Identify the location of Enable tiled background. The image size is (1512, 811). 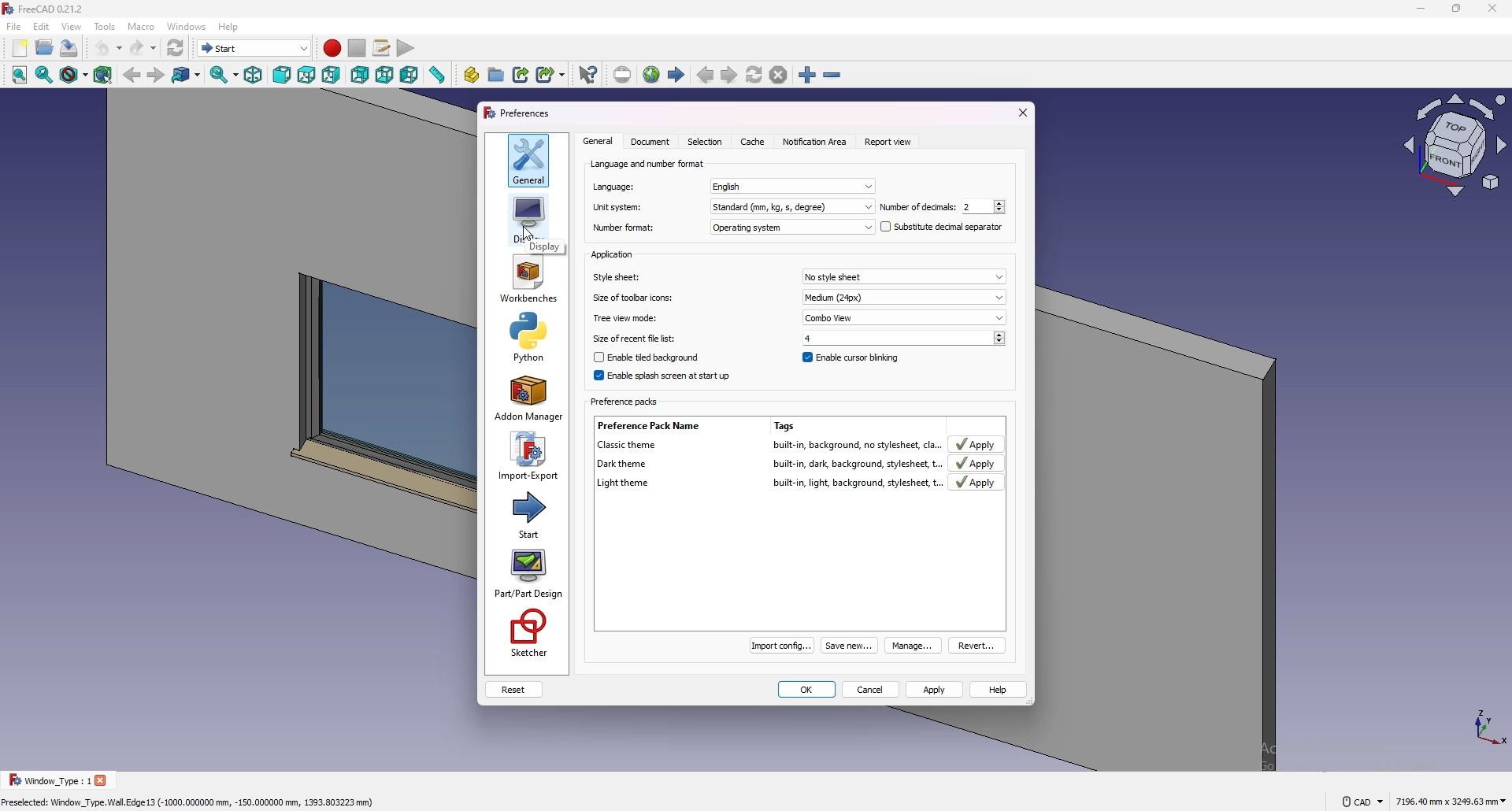
(645, 357).